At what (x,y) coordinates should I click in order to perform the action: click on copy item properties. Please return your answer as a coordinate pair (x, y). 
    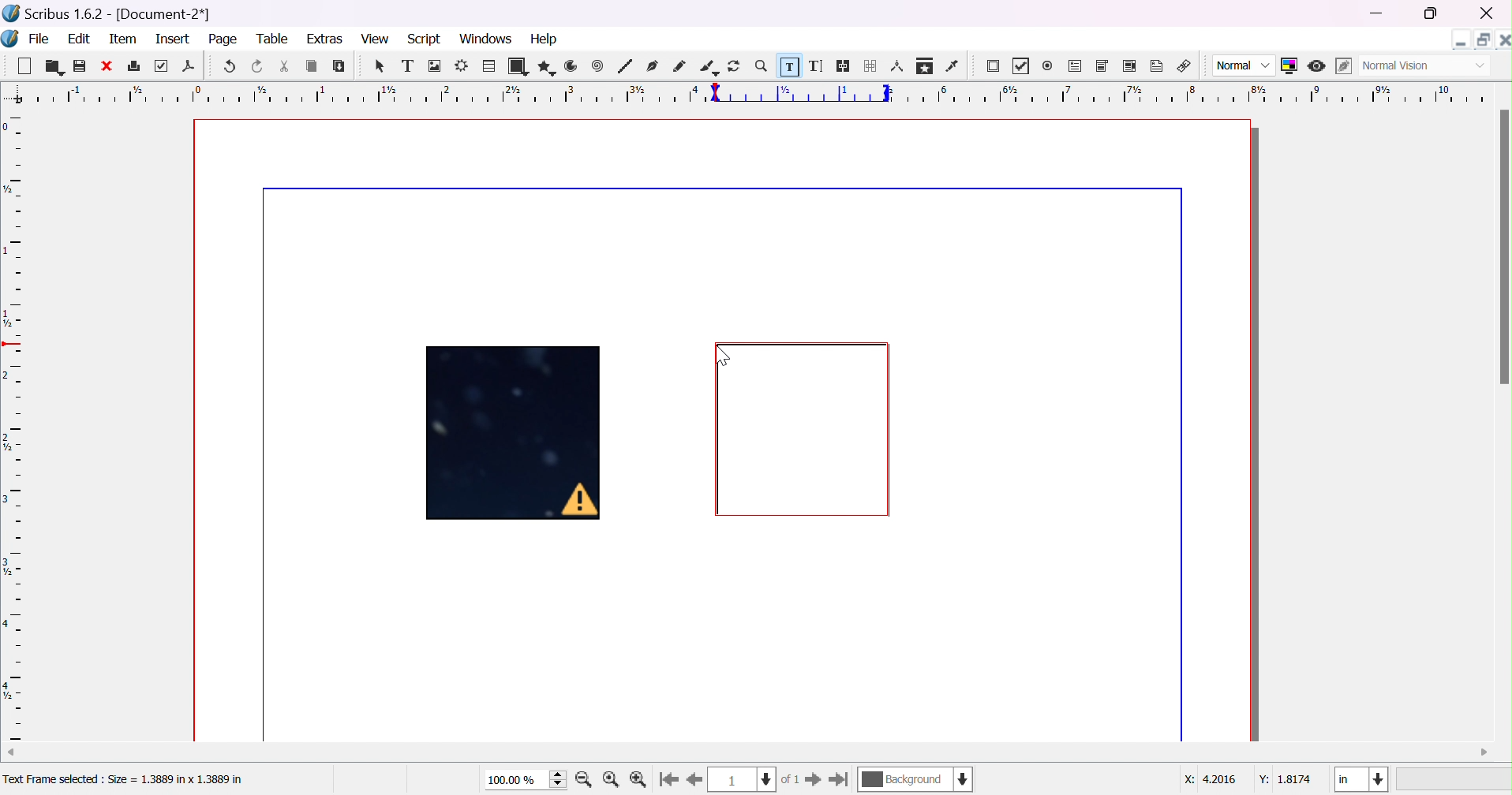
    Looking at the image, I should click on (924, 65).